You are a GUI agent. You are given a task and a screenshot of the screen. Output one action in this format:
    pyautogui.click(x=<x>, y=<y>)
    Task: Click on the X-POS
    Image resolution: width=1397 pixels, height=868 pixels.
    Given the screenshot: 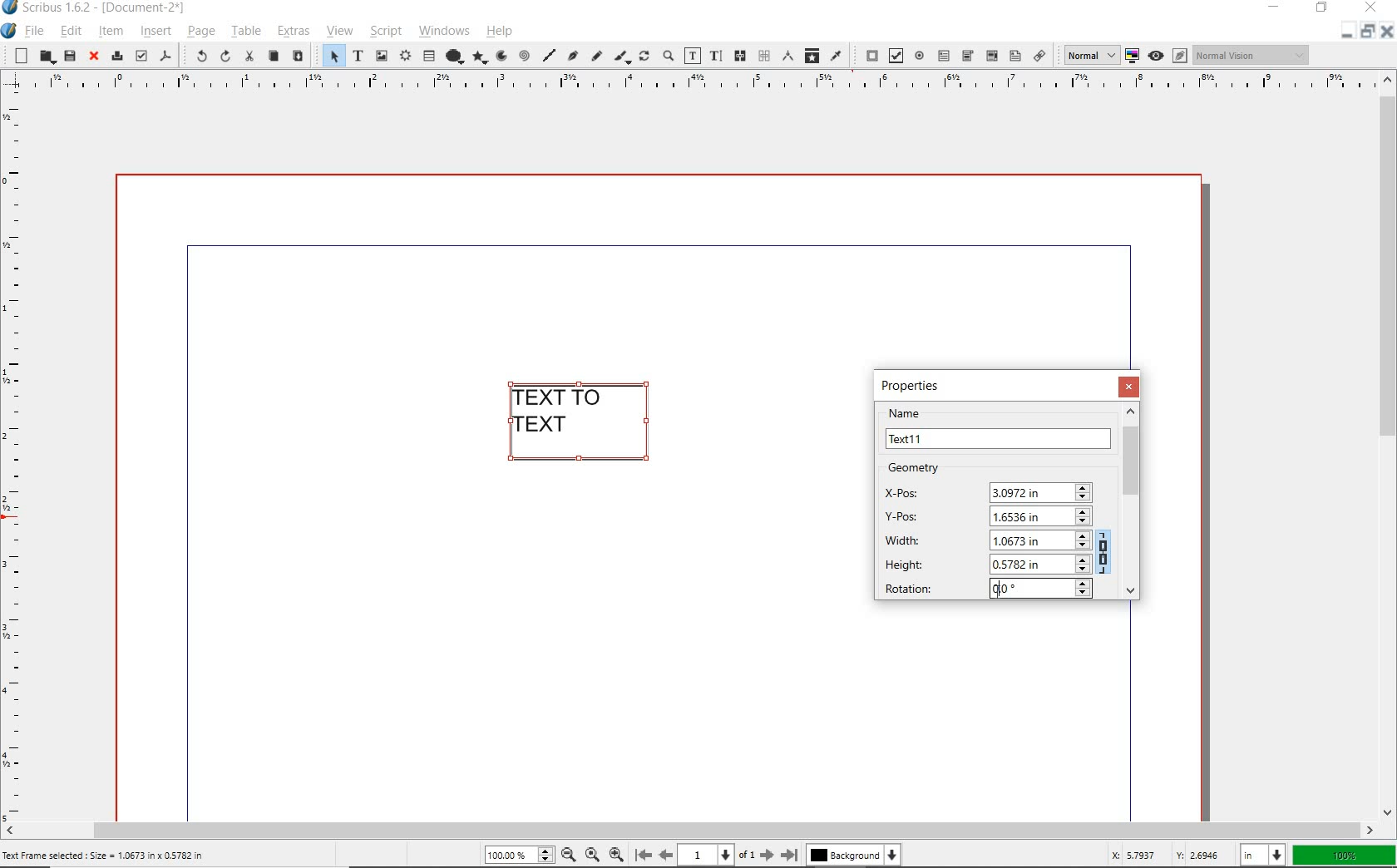 What is the action you would take?
    pyautogui.click(x=988, y=490)
    